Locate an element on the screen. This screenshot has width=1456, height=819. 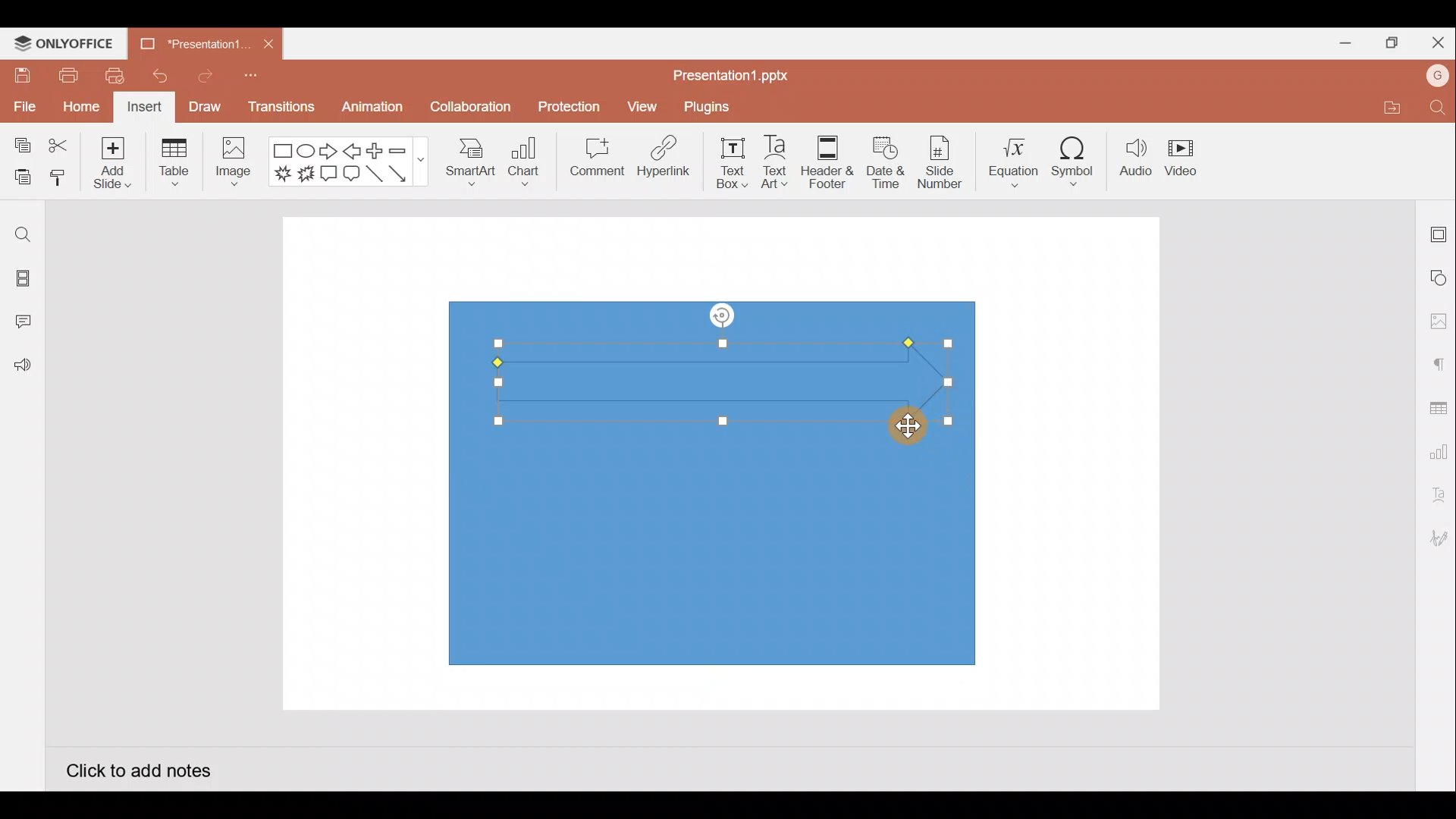
Close document is located at coordinates (268, 40).